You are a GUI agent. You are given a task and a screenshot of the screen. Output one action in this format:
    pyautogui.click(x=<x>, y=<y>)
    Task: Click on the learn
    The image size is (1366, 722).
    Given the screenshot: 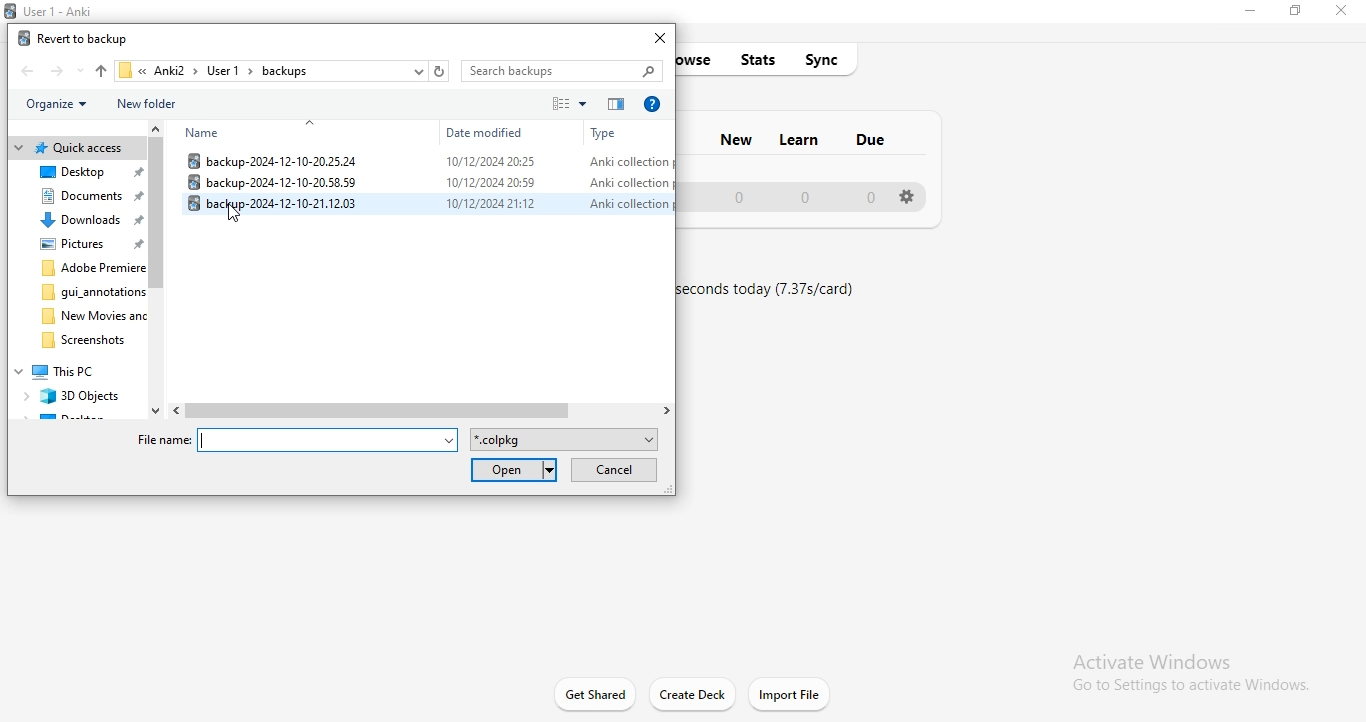 What is the action you would take?
    pyautogui.click(x=801, y=137)
    